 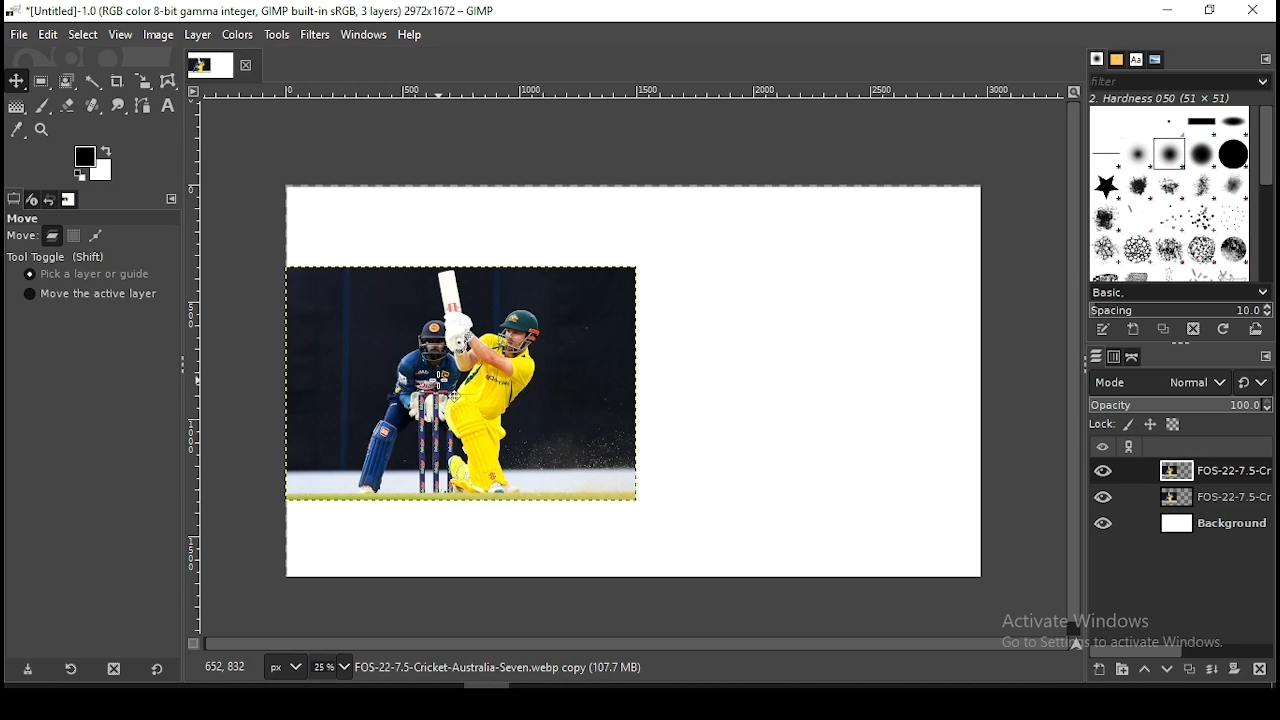 What do you see at coordinates (1211, 470) in the screenshot?
I see `layer ` at bounding box center [1211, 470].